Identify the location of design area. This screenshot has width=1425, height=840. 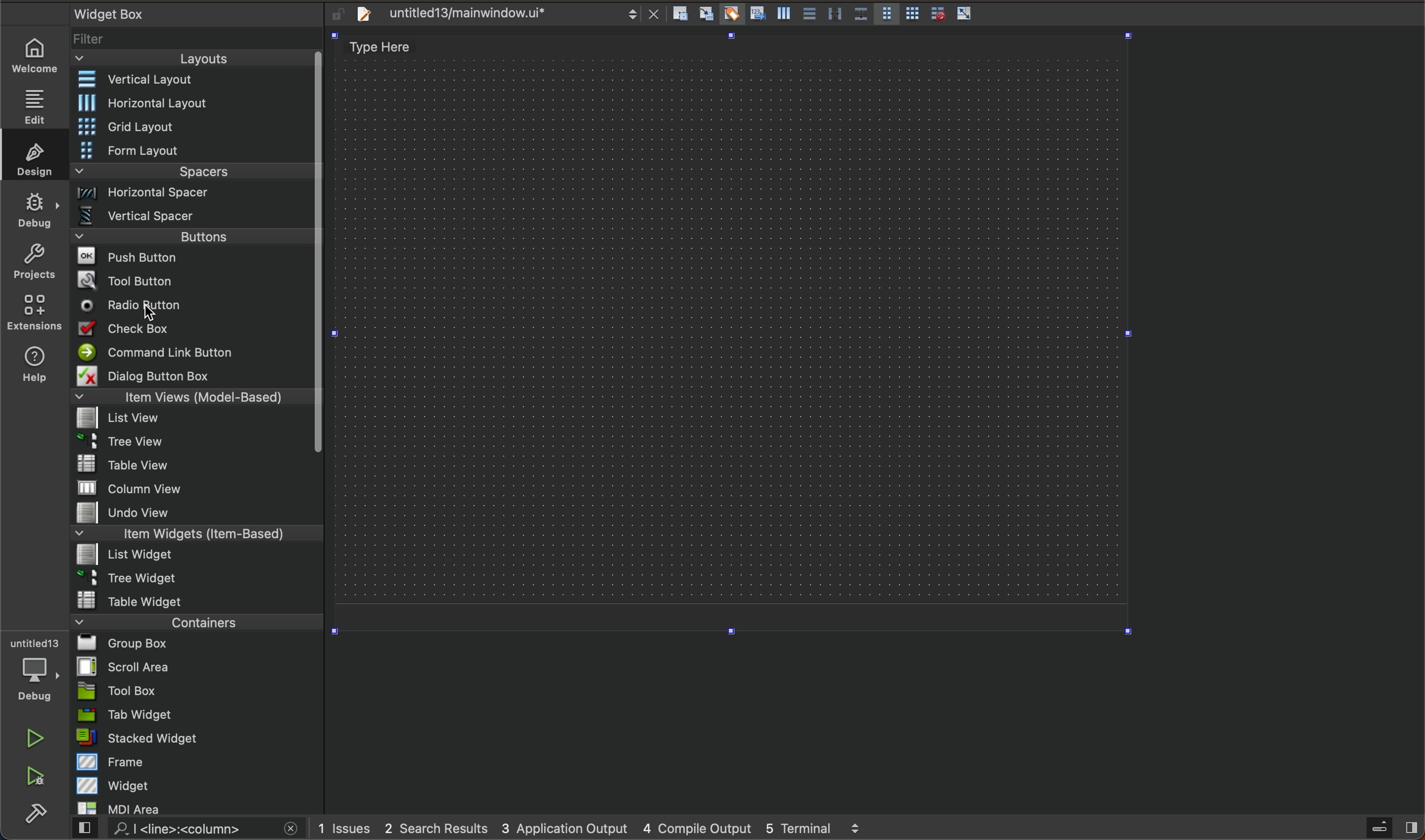
(733, 326).